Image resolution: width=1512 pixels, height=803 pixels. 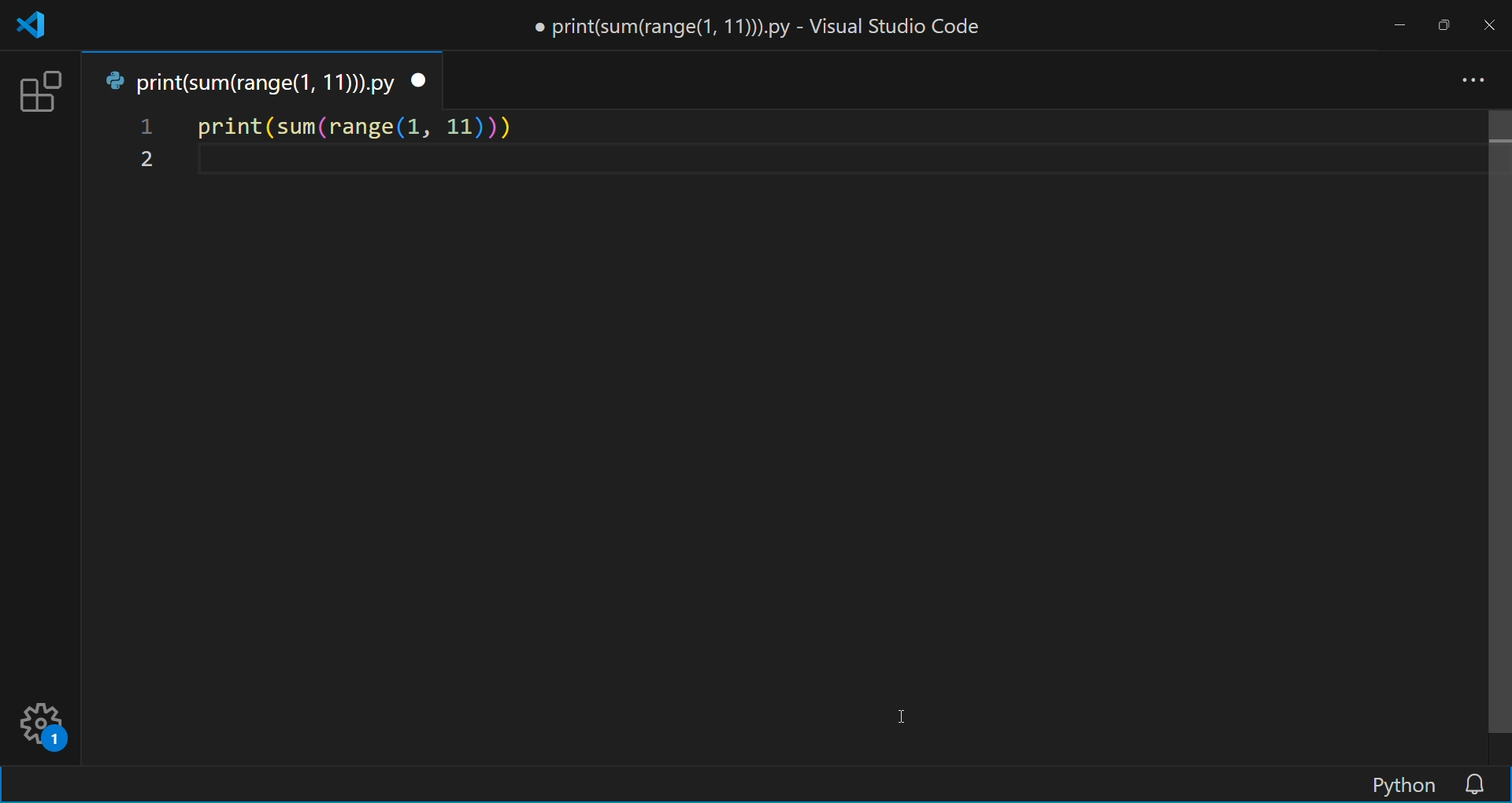 What do you see at coordinates (248, 80) in the screenshot?
I see `tab name` at bounding box center [248, 80].